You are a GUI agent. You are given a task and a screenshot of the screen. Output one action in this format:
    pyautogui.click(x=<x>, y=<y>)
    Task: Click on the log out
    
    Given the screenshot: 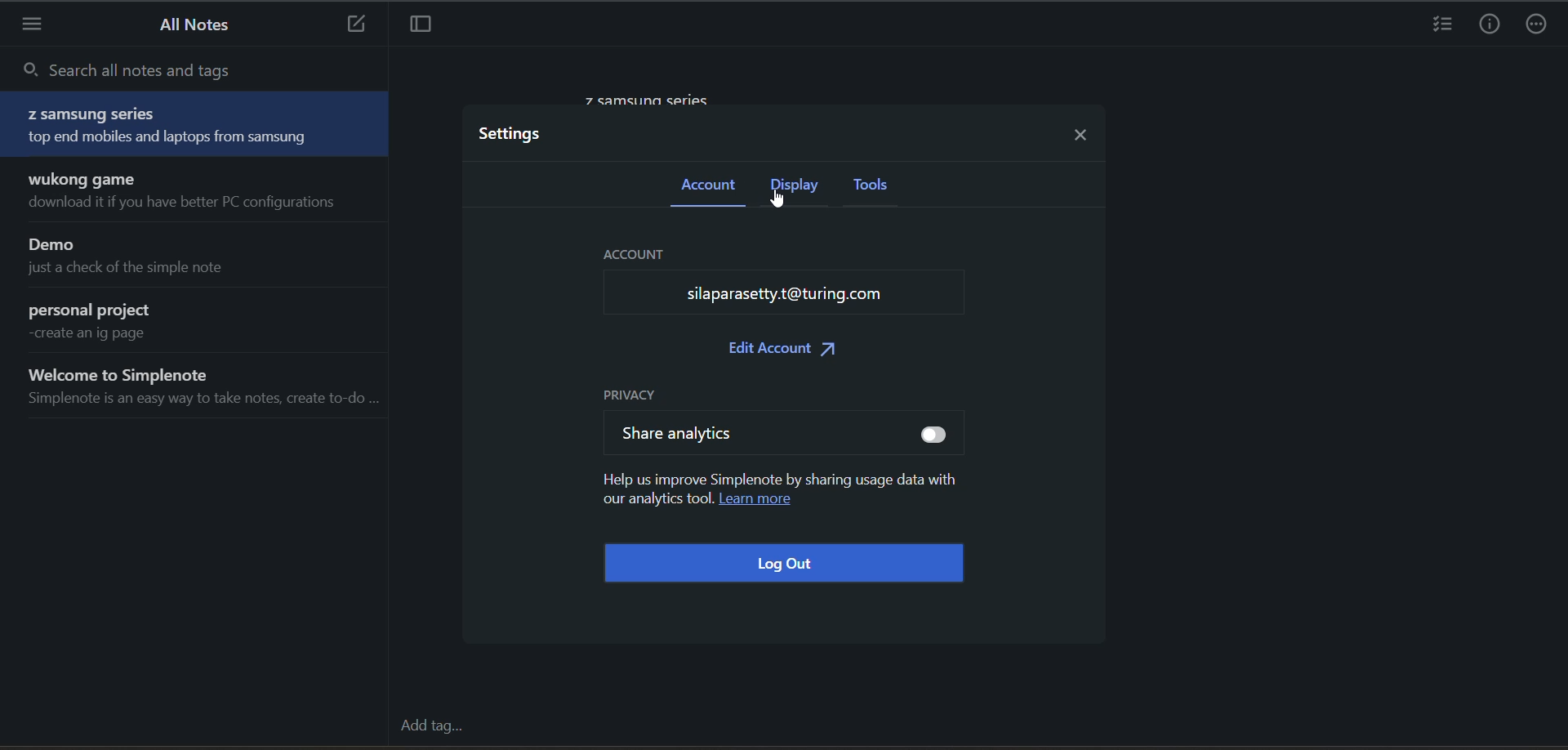 What is the action you would take?
    pyautogui.click(x=794, y=565)
    